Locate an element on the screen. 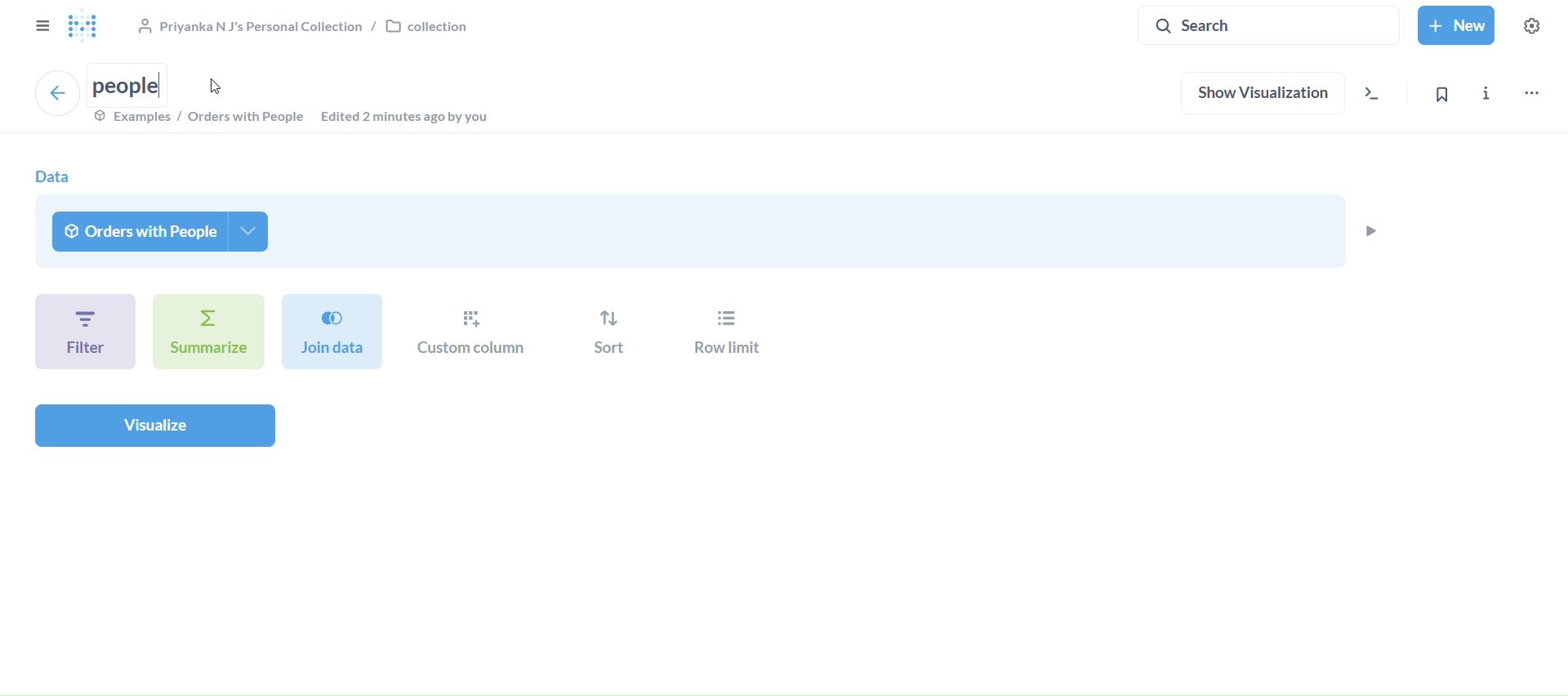 This screenshot has height=696, width=1568. preview is located at coordinates (1370, 230).